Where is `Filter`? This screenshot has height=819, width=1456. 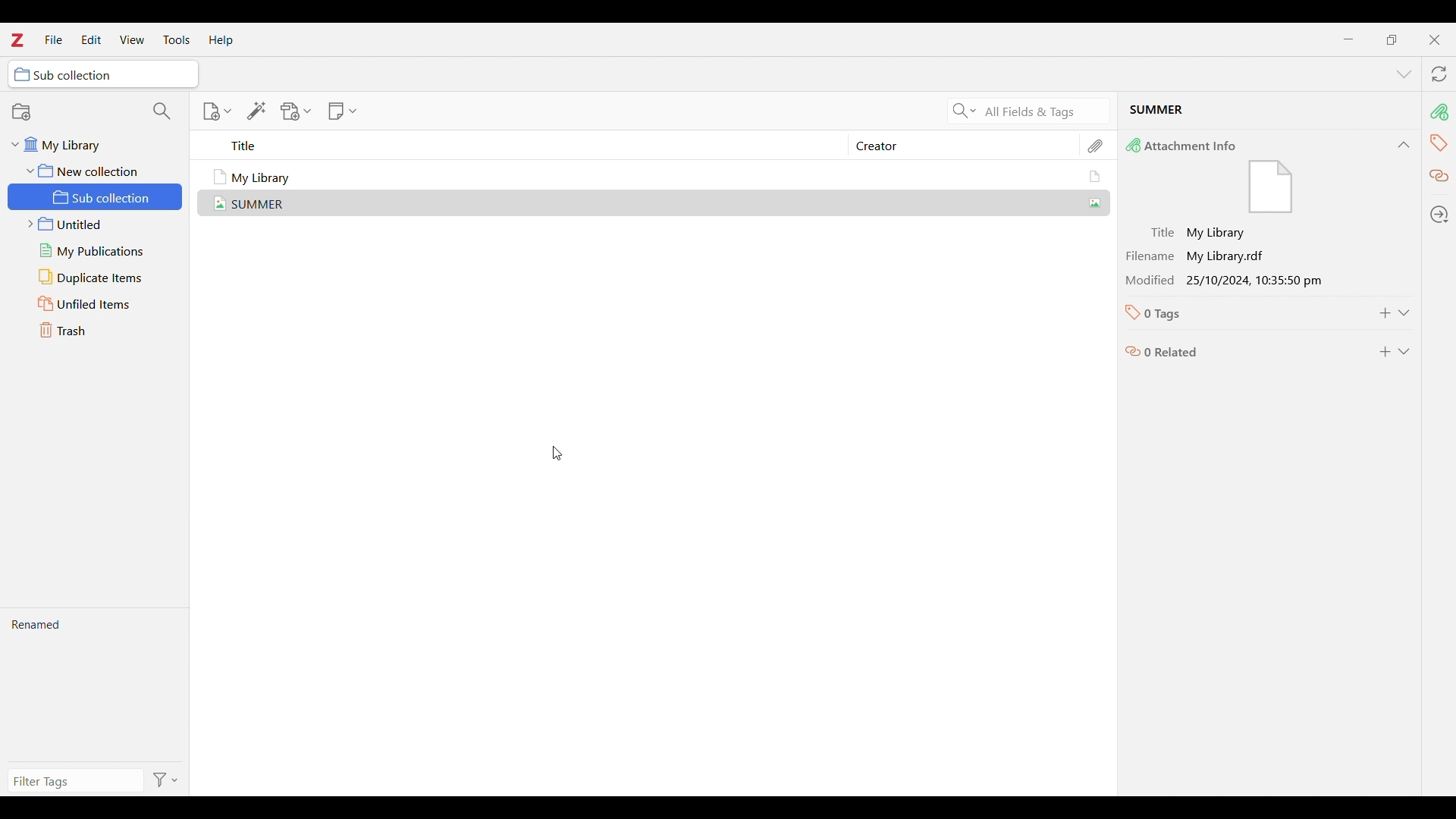
Filter is located at coordinates (168, 780).